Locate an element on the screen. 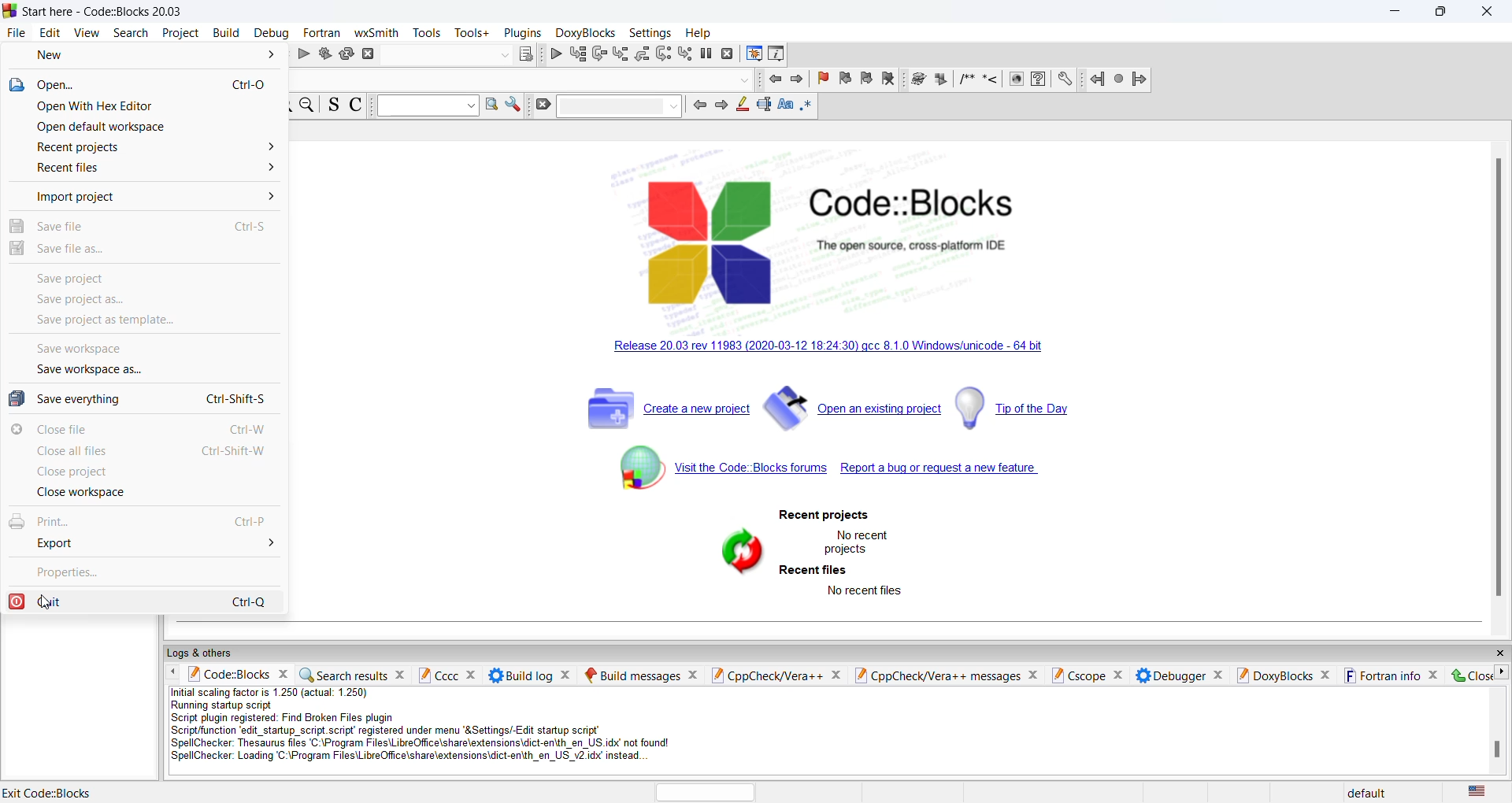  fortran is located at coordinates (323, 31).